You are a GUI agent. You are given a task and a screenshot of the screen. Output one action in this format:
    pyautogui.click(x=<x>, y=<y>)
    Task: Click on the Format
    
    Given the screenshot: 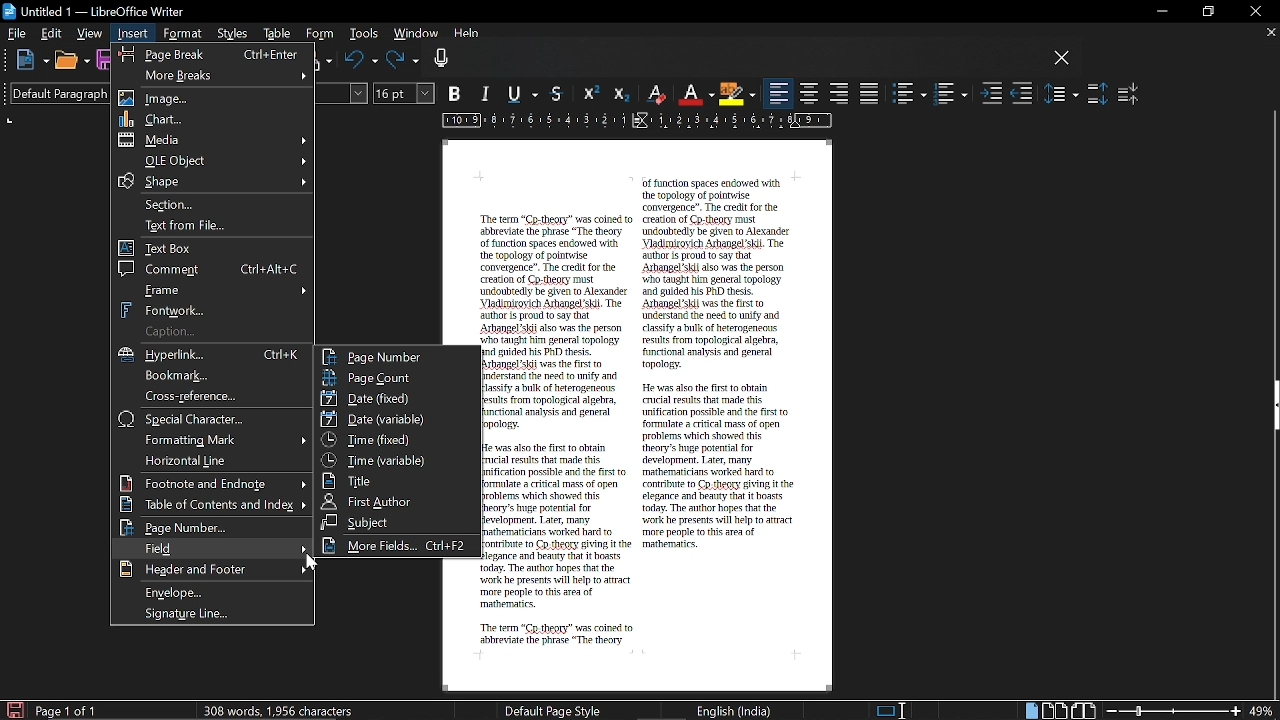 What is the action you would take?
    pyautogui.click(x=182, y=34)
    